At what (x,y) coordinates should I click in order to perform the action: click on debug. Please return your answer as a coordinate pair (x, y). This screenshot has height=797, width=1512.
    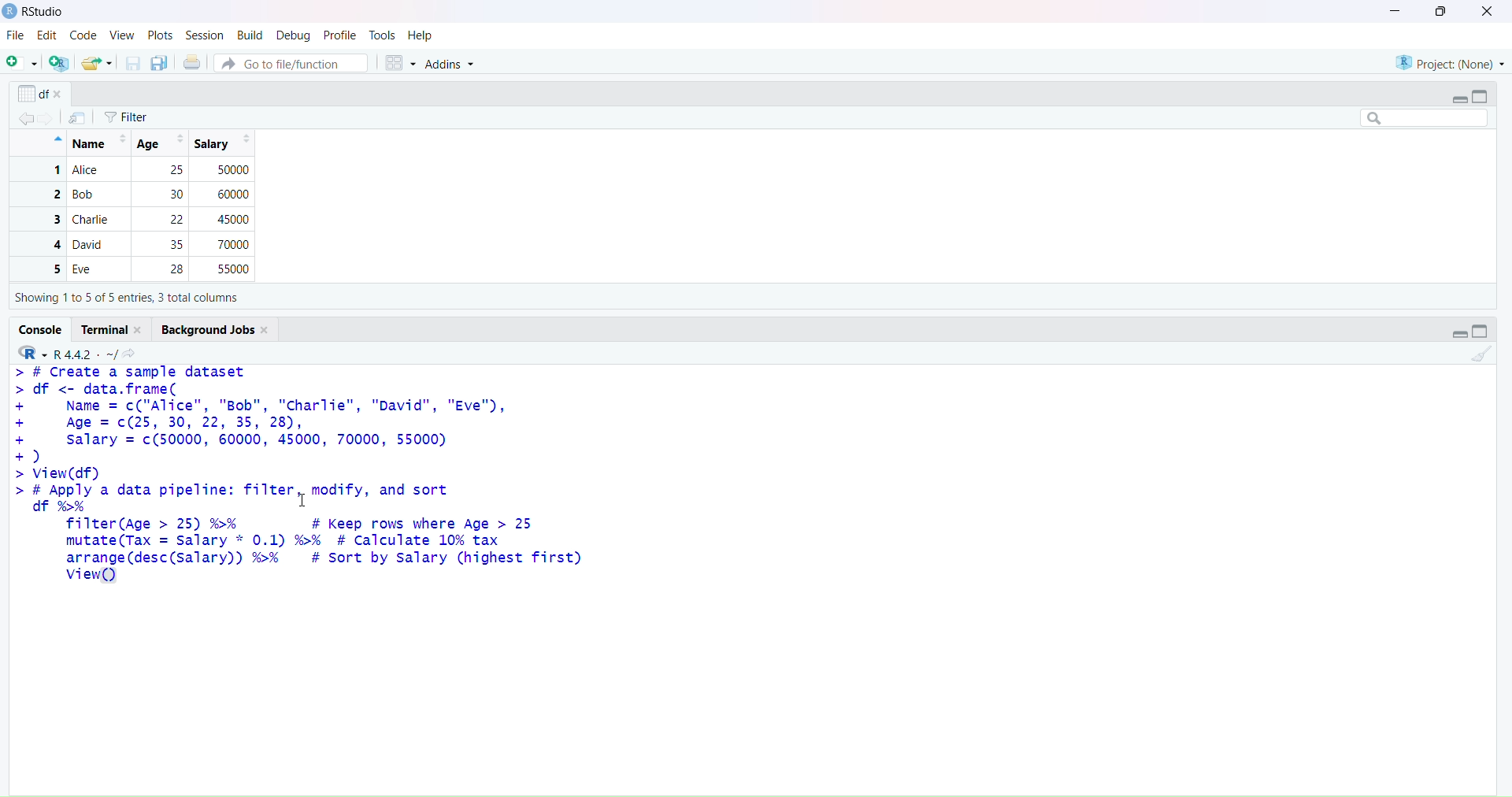
    Looking at the image, I should click on (292, 35).